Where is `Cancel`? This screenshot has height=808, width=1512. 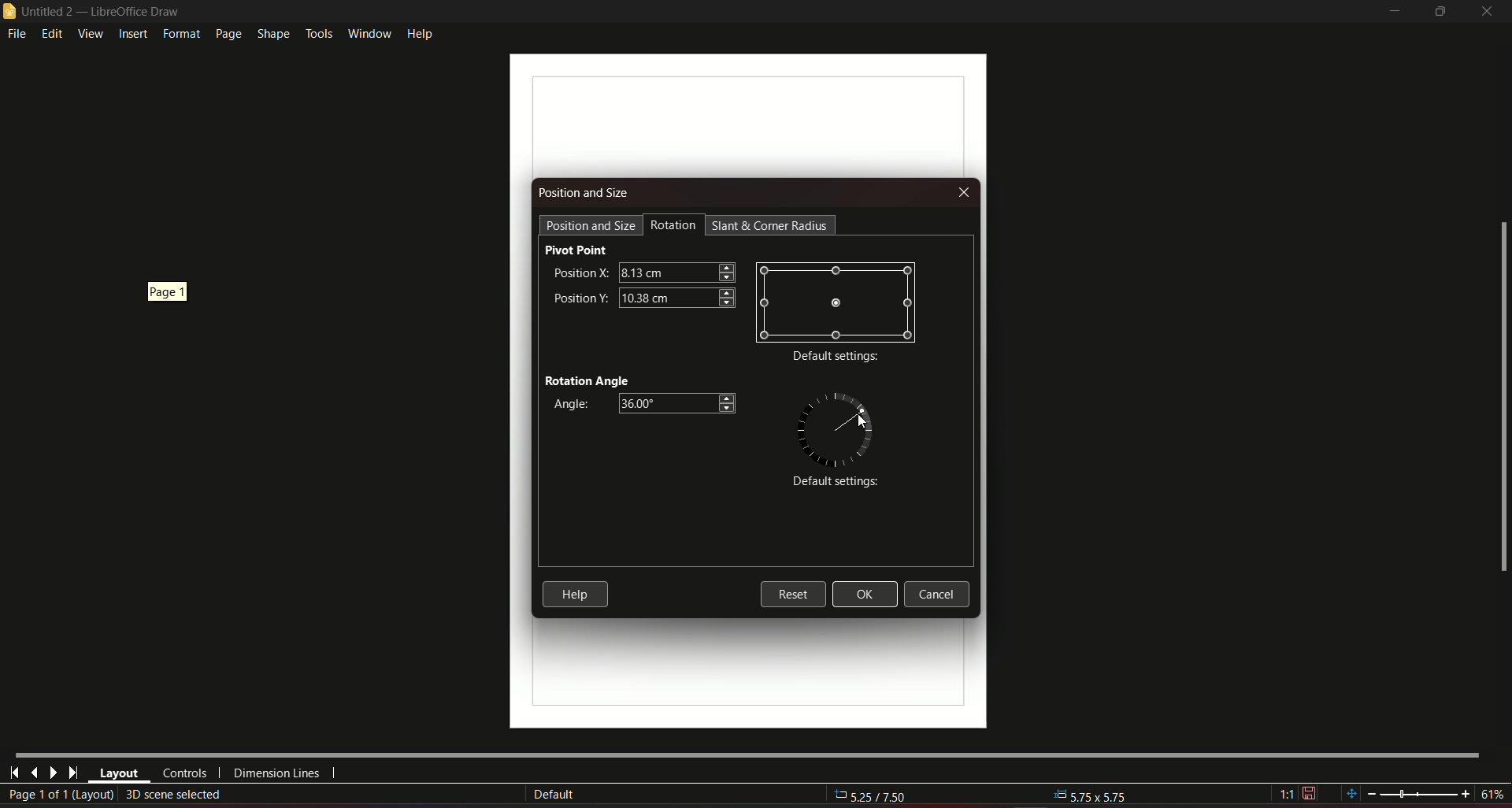
Cancel is located at coordinates (941, 595).